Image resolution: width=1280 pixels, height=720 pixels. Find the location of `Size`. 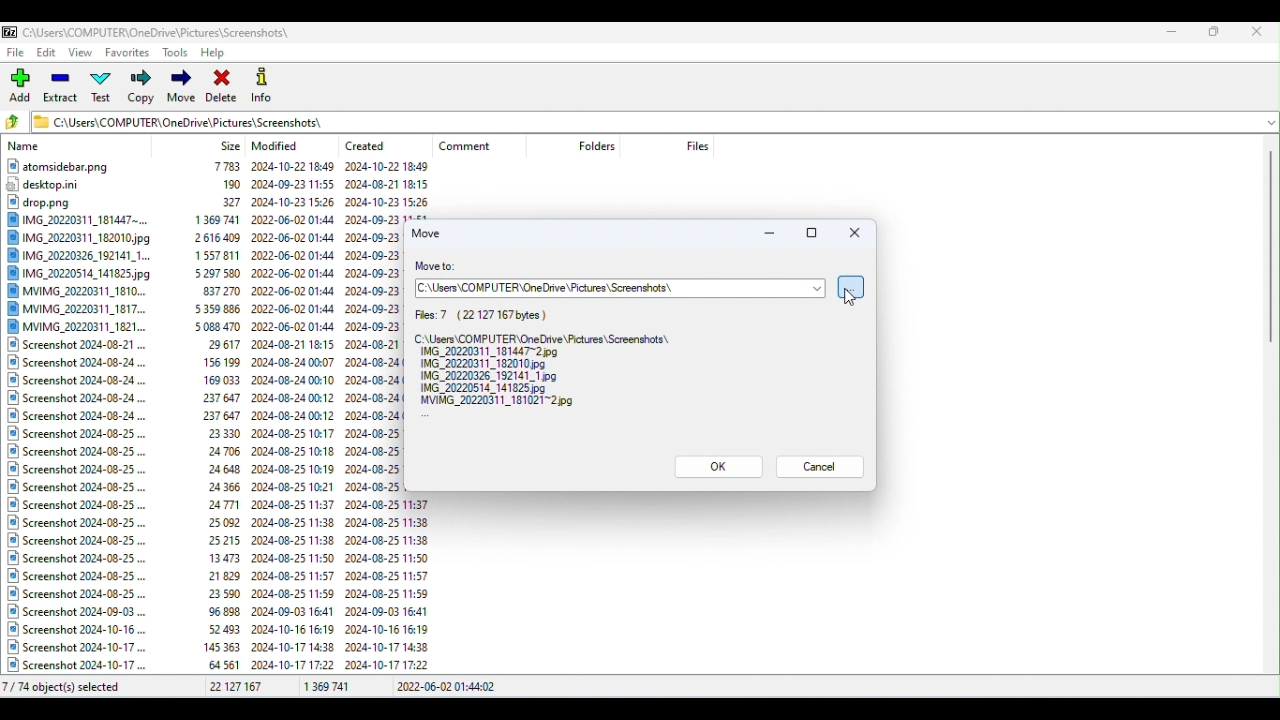

Size is located at coordinates (231, 145).